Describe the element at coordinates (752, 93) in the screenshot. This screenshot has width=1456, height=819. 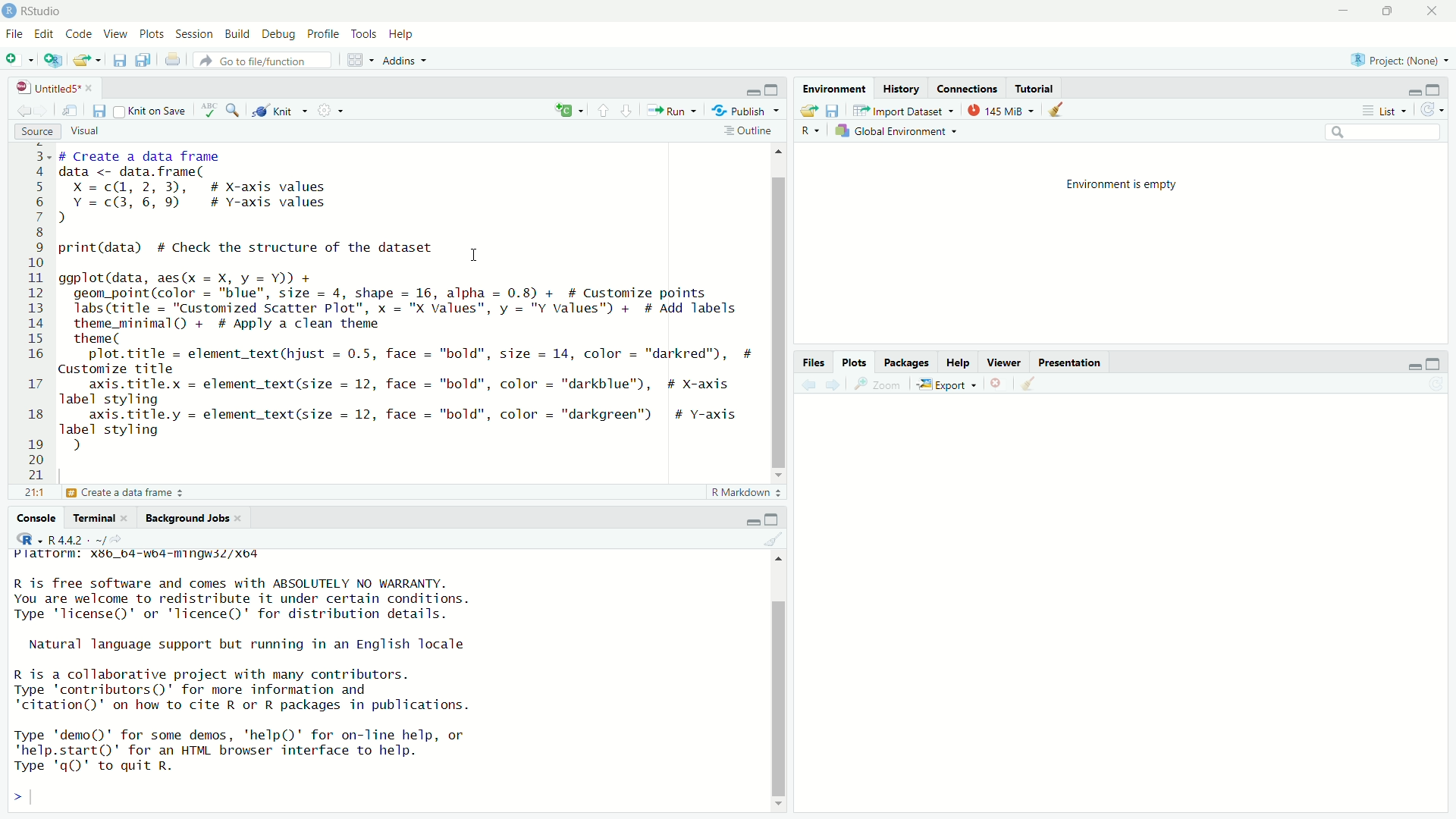
I see `minimize` at that location.